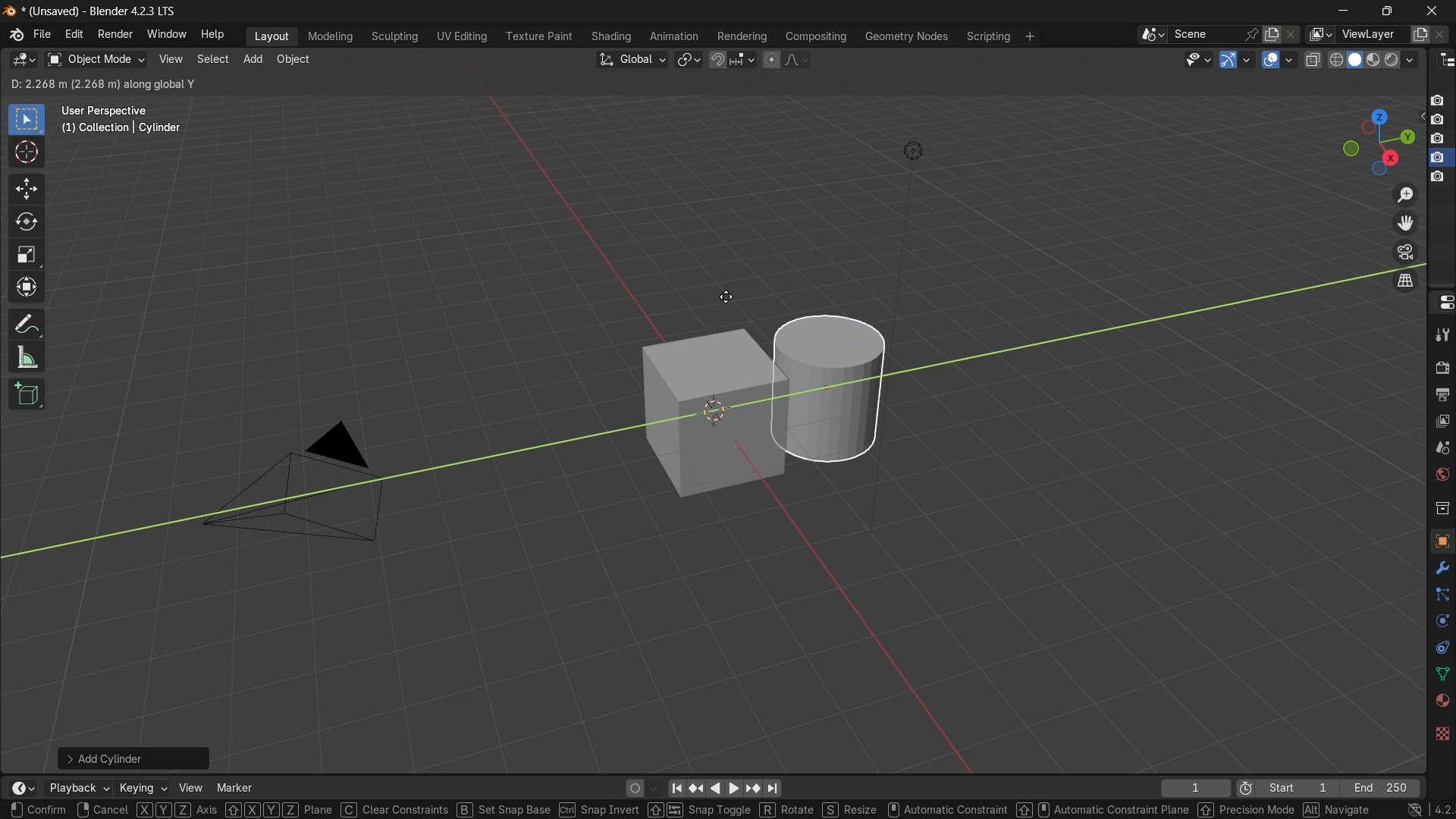 Image resolution: width=1456 pixels, height=819 pixels. What do you see at coordinates (1444, 35) in the screenshot?
I see `remove view layer` at bounding box center [1444, 35].